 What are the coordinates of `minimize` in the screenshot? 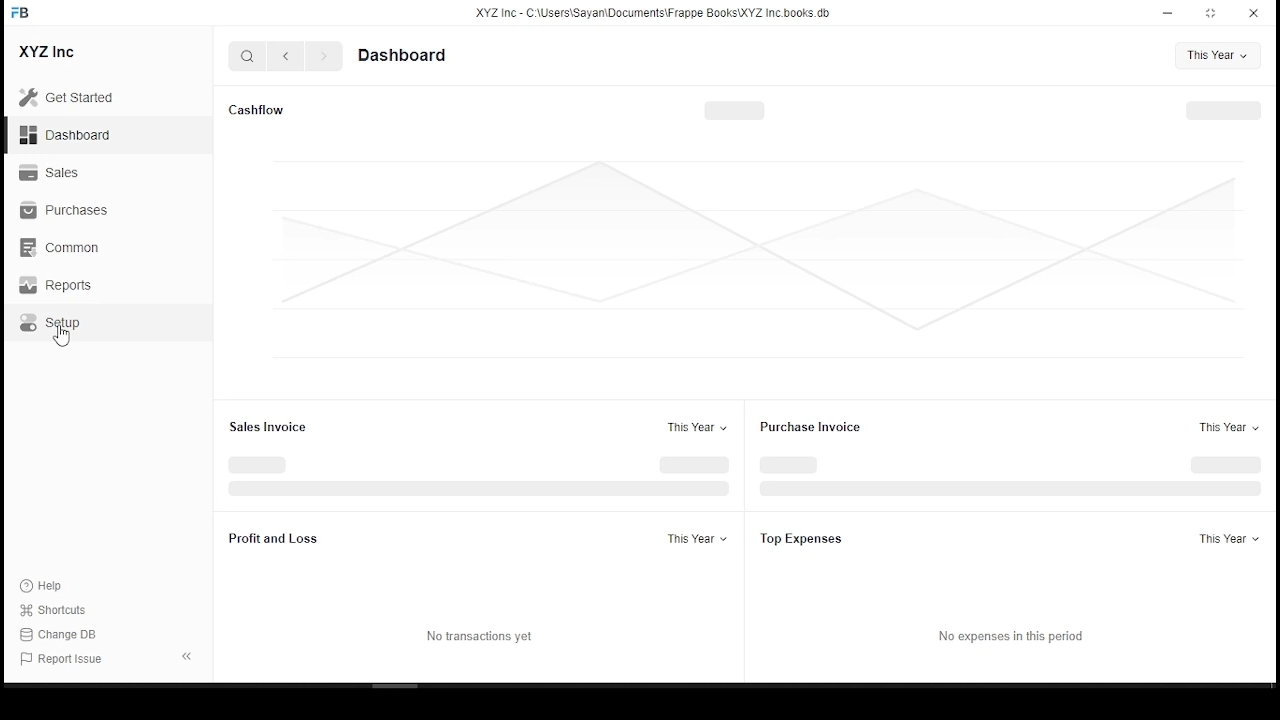 It's located at (1168, 13).